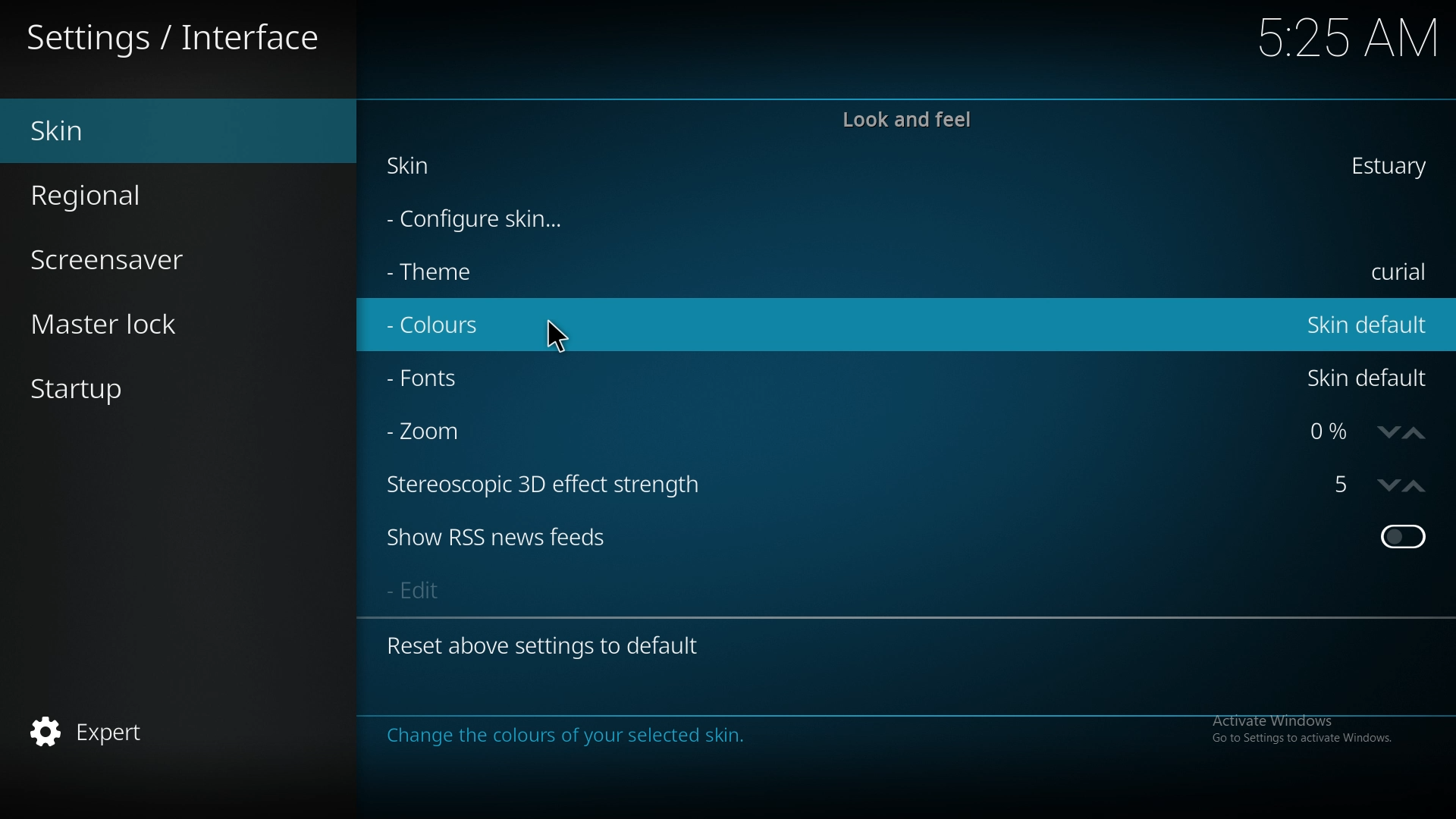 The width and height of the screenshot is (1456, 819). What do you see at coordinates (441, 164) in the screenshot?
I see `skin` at bounding box center [441, 164].